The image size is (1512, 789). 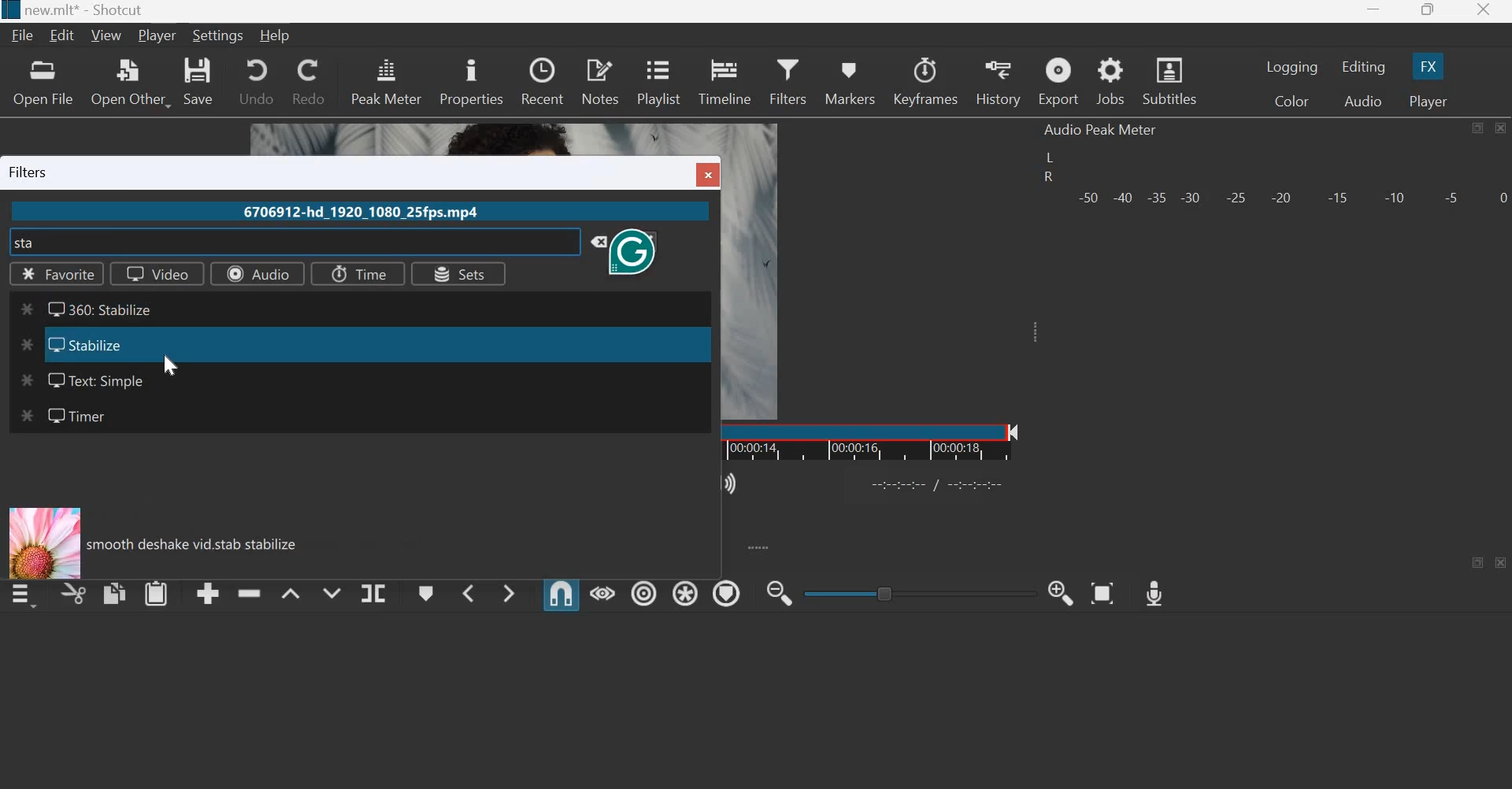 What do you see at coordinates (1429, 66) in the screenshot?
I see `FX` at bounding box center [1429, 66].